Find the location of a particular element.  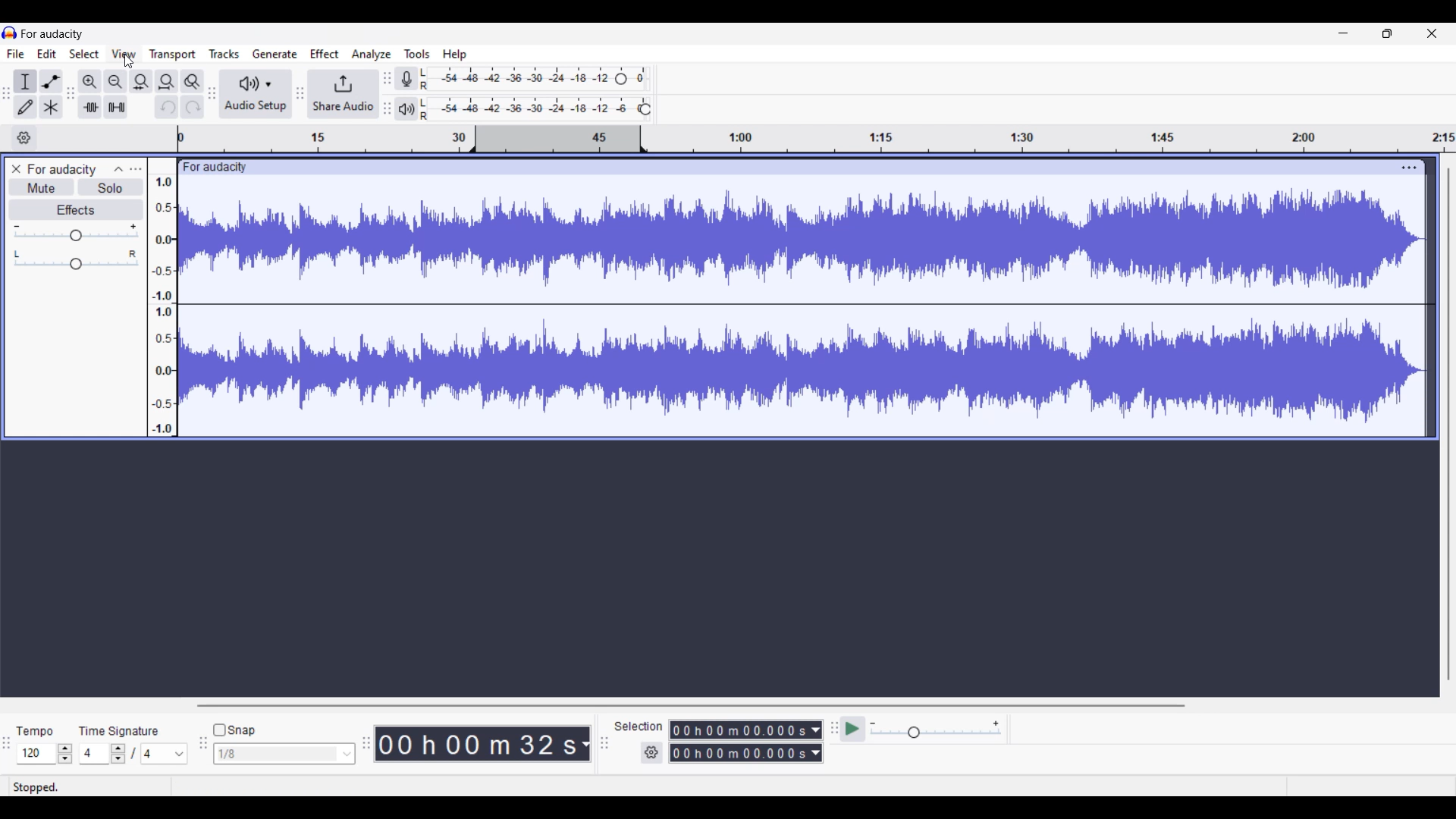

Play at speed/Play at speed once is located at coordinates (852, 729).